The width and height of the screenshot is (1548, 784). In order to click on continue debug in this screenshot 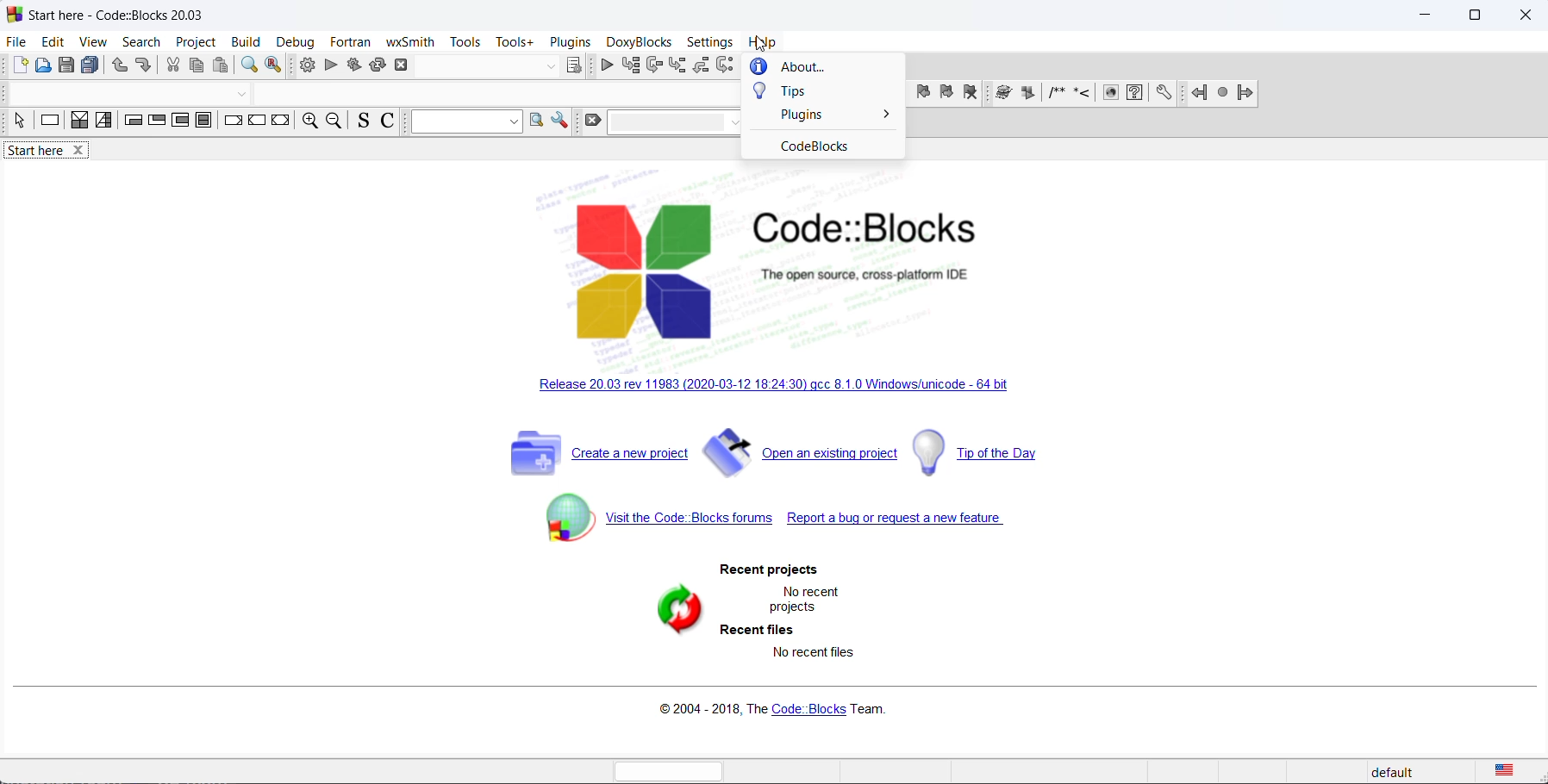, I will do `click(606, 66)`.